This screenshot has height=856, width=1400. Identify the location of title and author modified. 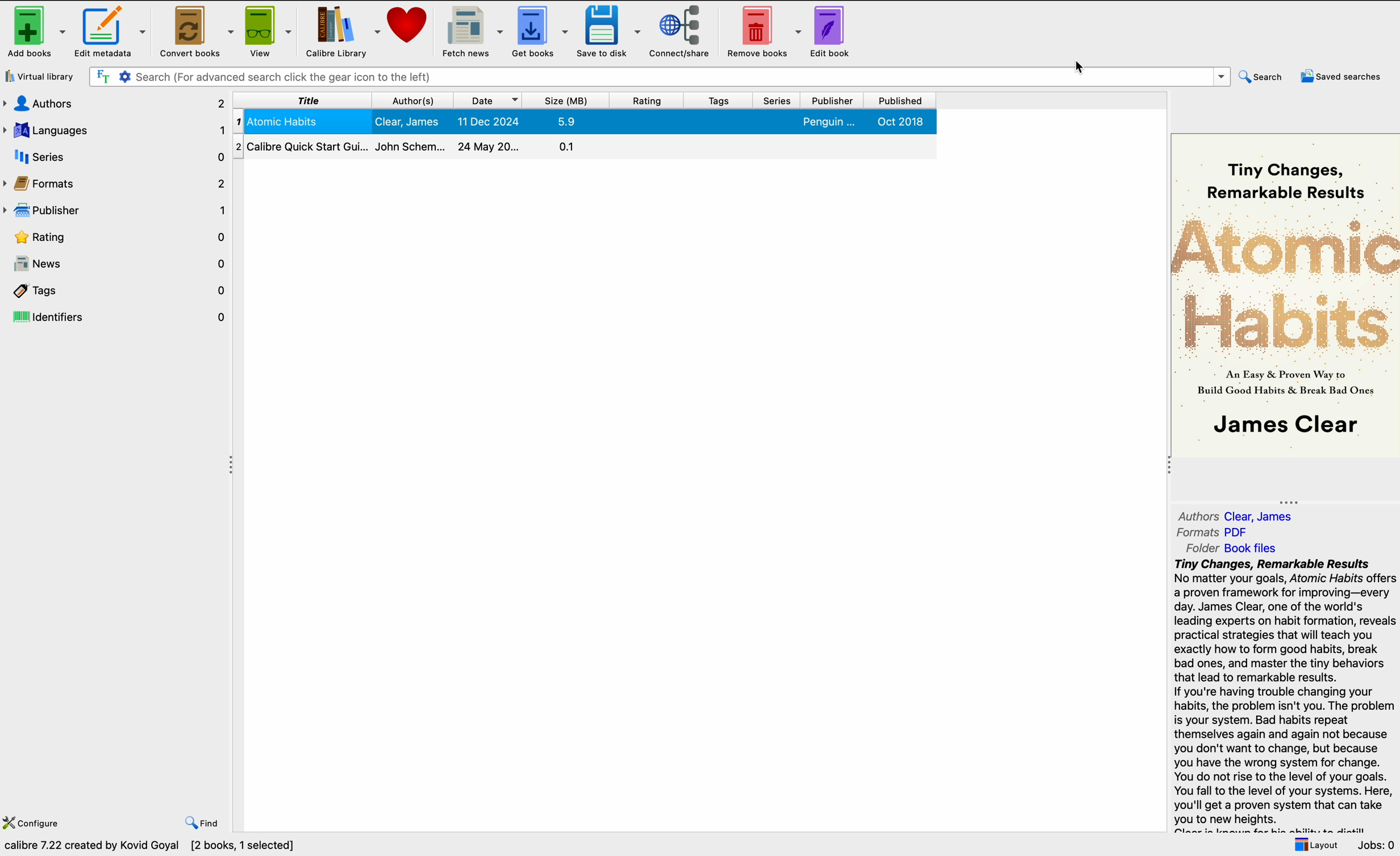
(582, 122).